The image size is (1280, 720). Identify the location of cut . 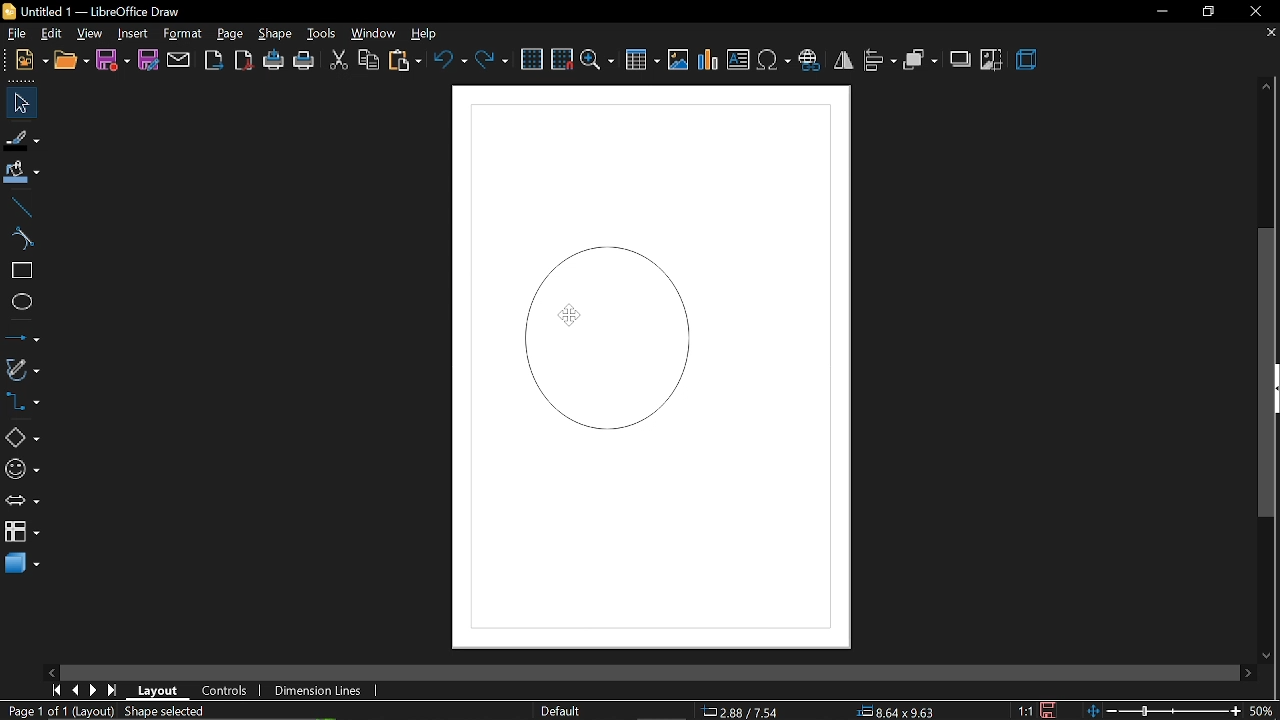
(339, 61).